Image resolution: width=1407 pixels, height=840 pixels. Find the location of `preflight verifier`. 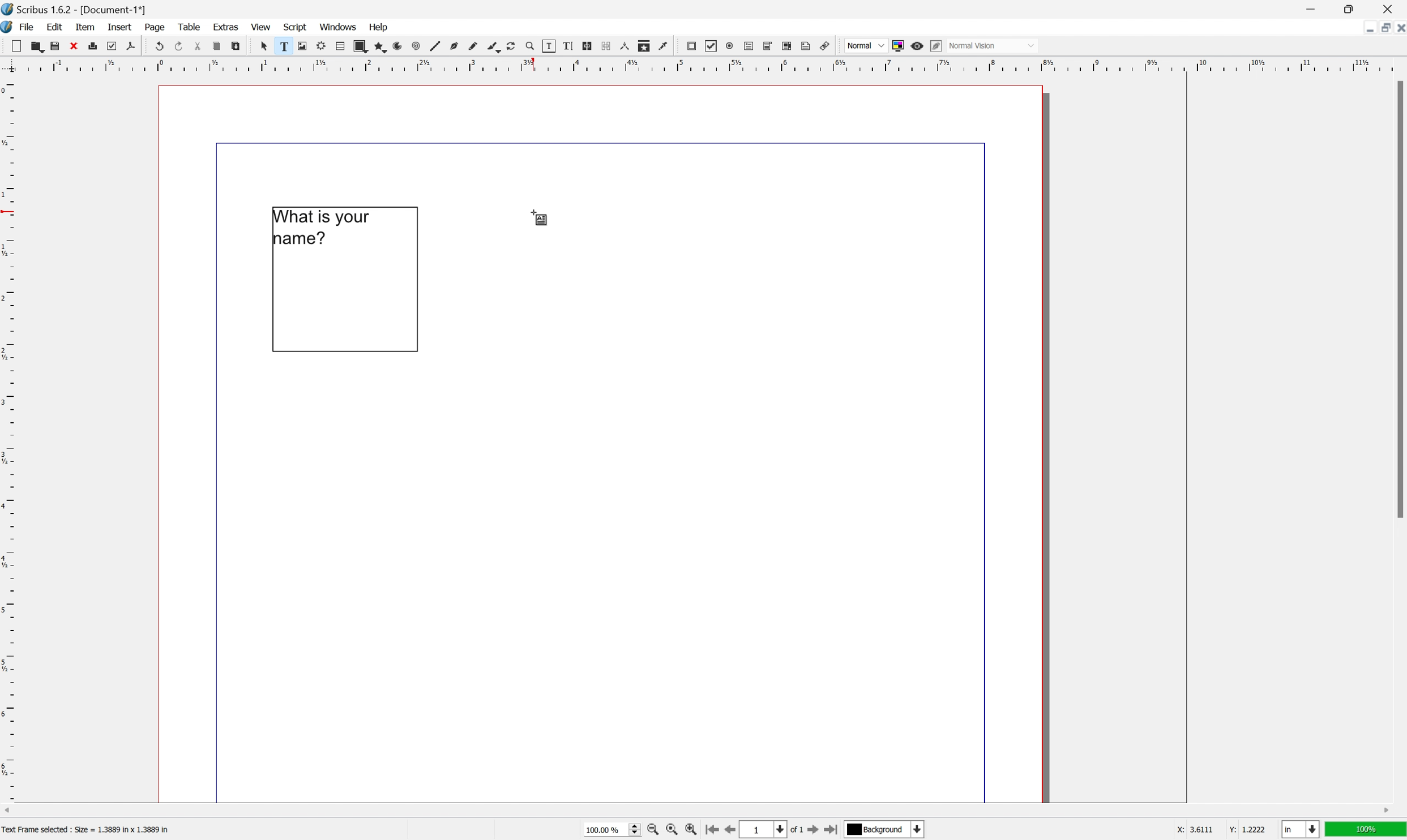

preflight verifier is located at coordinates (112, 45).